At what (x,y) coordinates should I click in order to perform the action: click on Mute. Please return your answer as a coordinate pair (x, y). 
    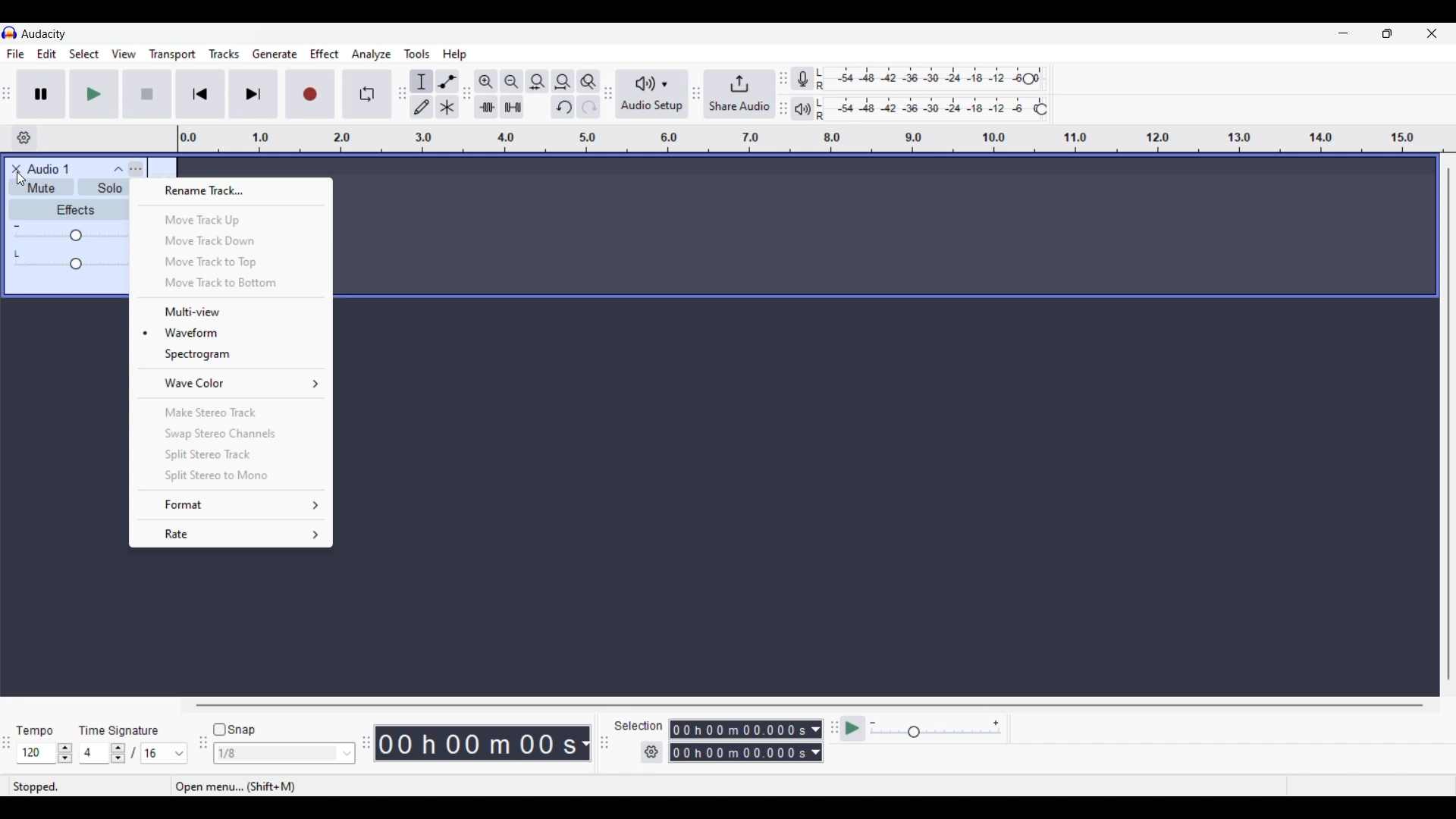
    Looking at the image, I should click on (39, 190).